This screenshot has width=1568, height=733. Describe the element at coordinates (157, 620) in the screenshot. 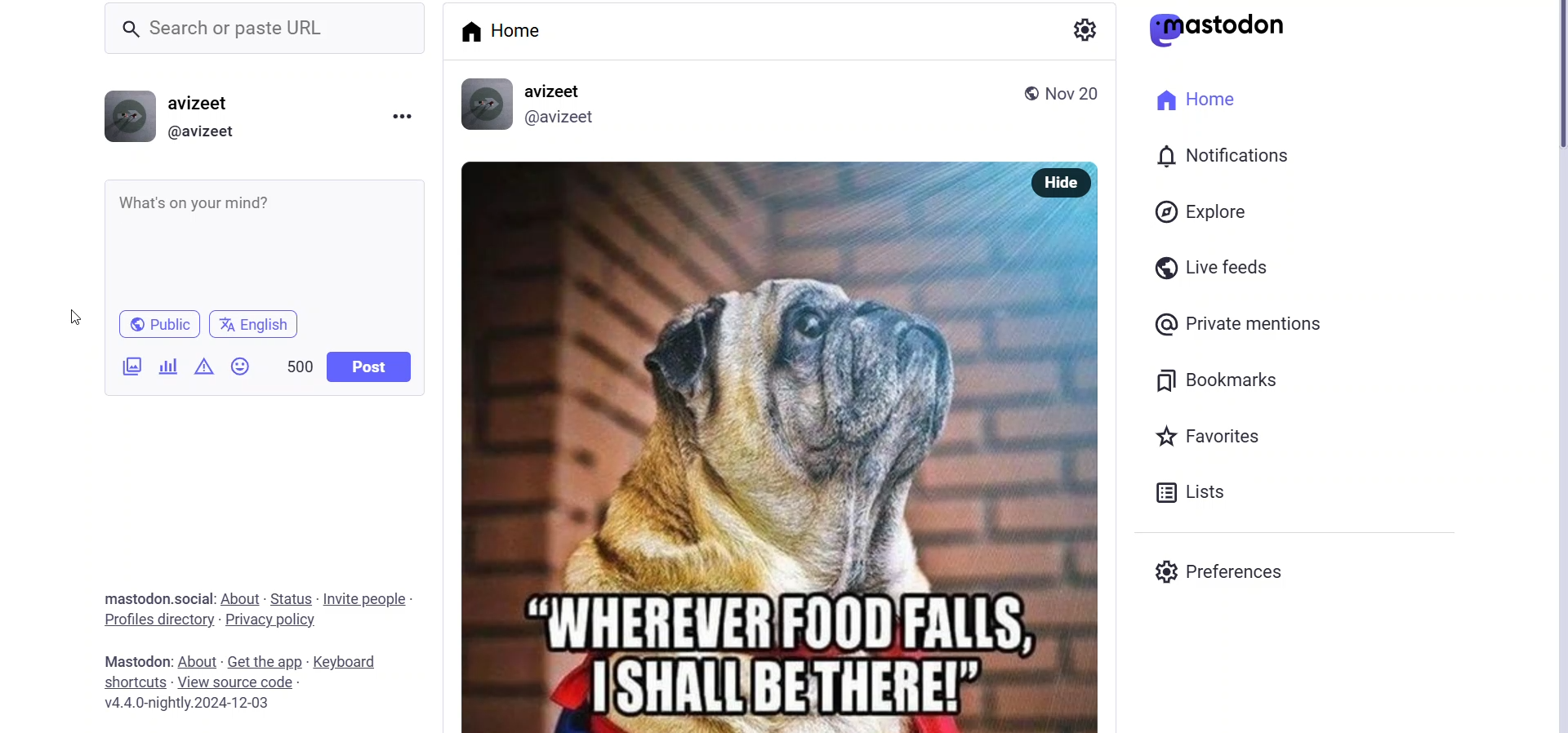

I see `profiles directory` at that location.